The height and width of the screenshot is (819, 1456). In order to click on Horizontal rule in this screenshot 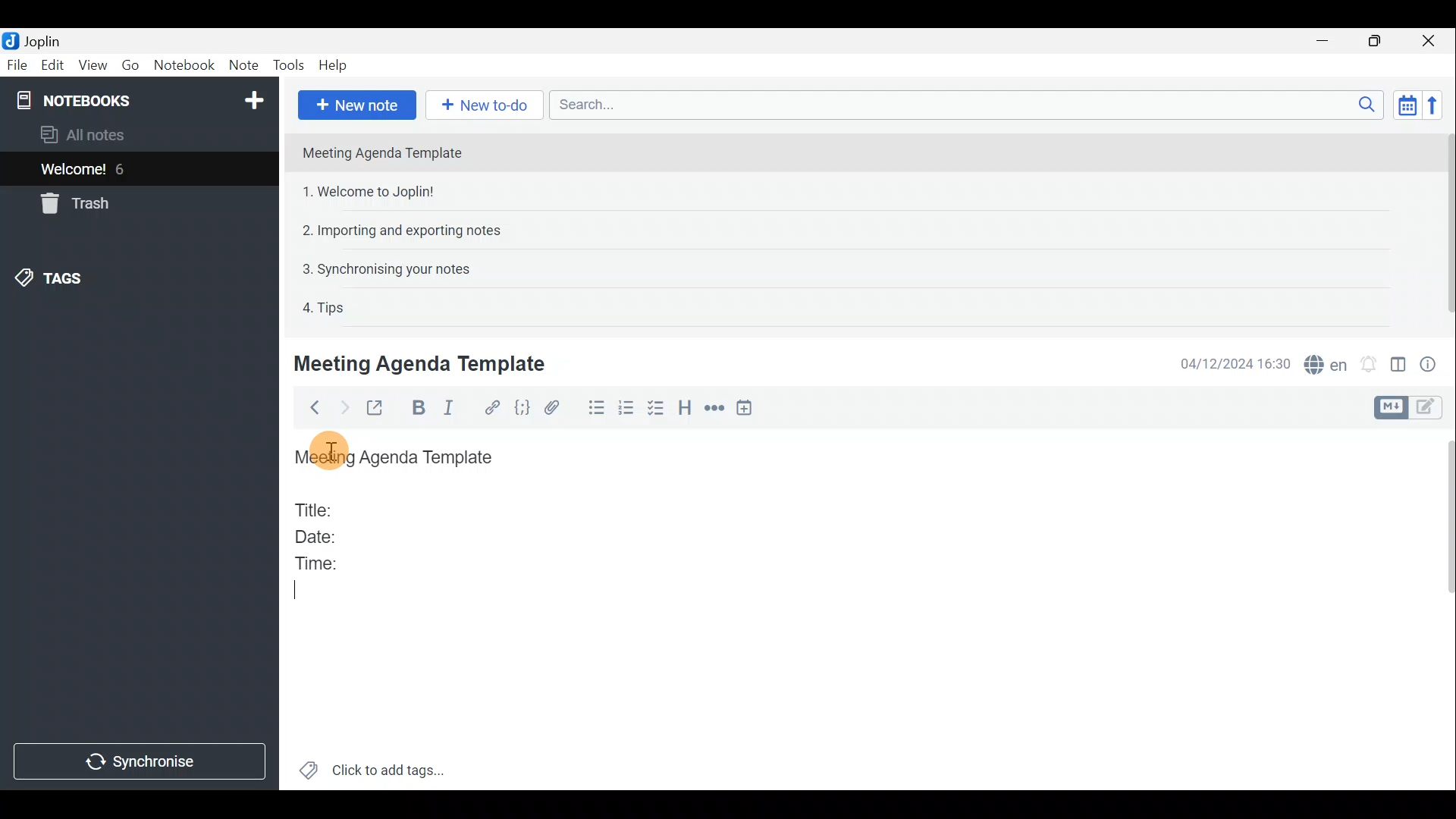, I will do `click(717, 409)`.